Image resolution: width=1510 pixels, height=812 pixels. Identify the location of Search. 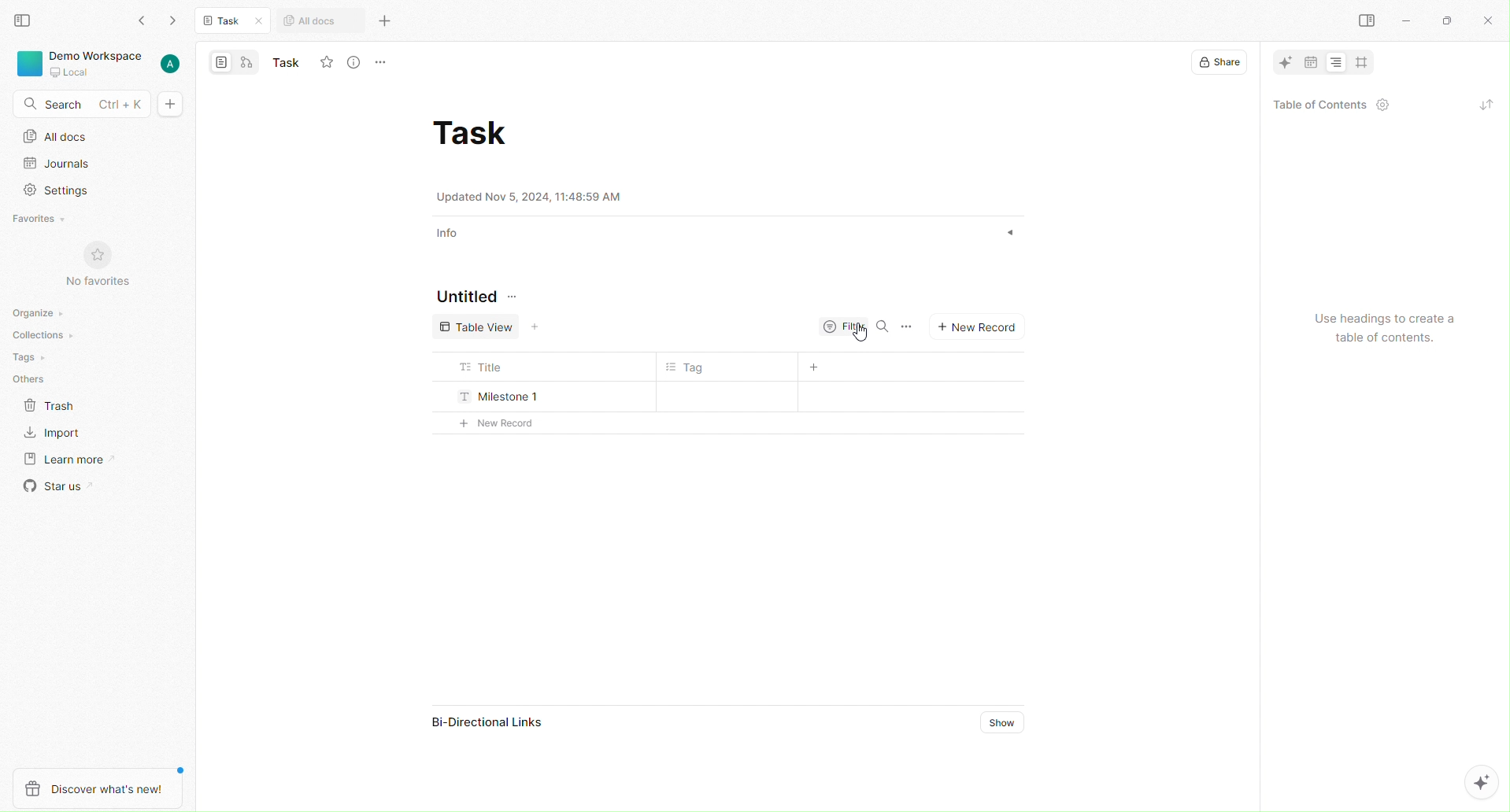
(888, 329).